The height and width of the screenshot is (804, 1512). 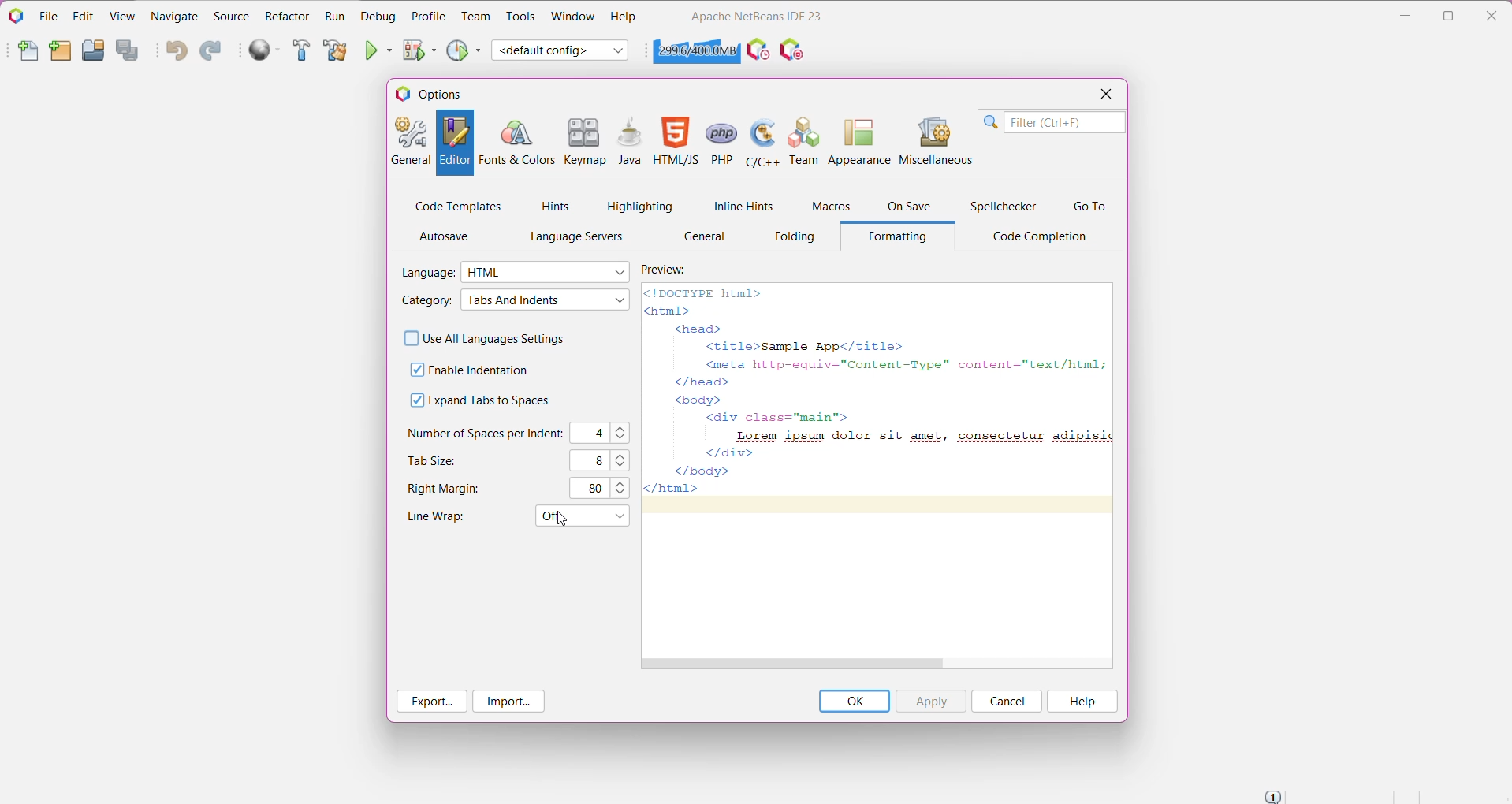 What do you see at coordinates (429, 16) in the screenshot?
I see `Profile` at bounding box center [429, 16].